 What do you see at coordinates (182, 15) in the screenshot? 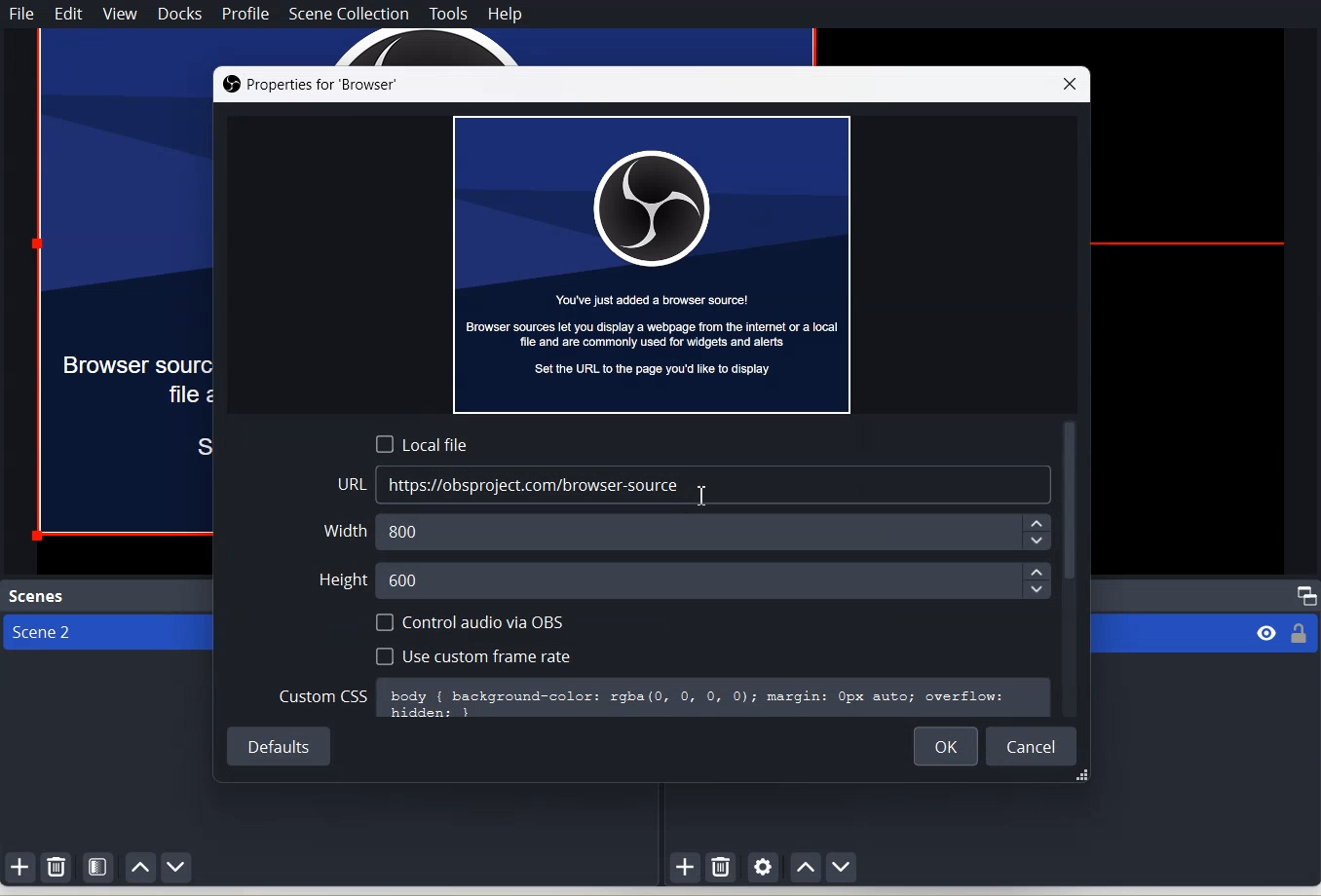
I see `Docks` at bounding box center [182, 15].